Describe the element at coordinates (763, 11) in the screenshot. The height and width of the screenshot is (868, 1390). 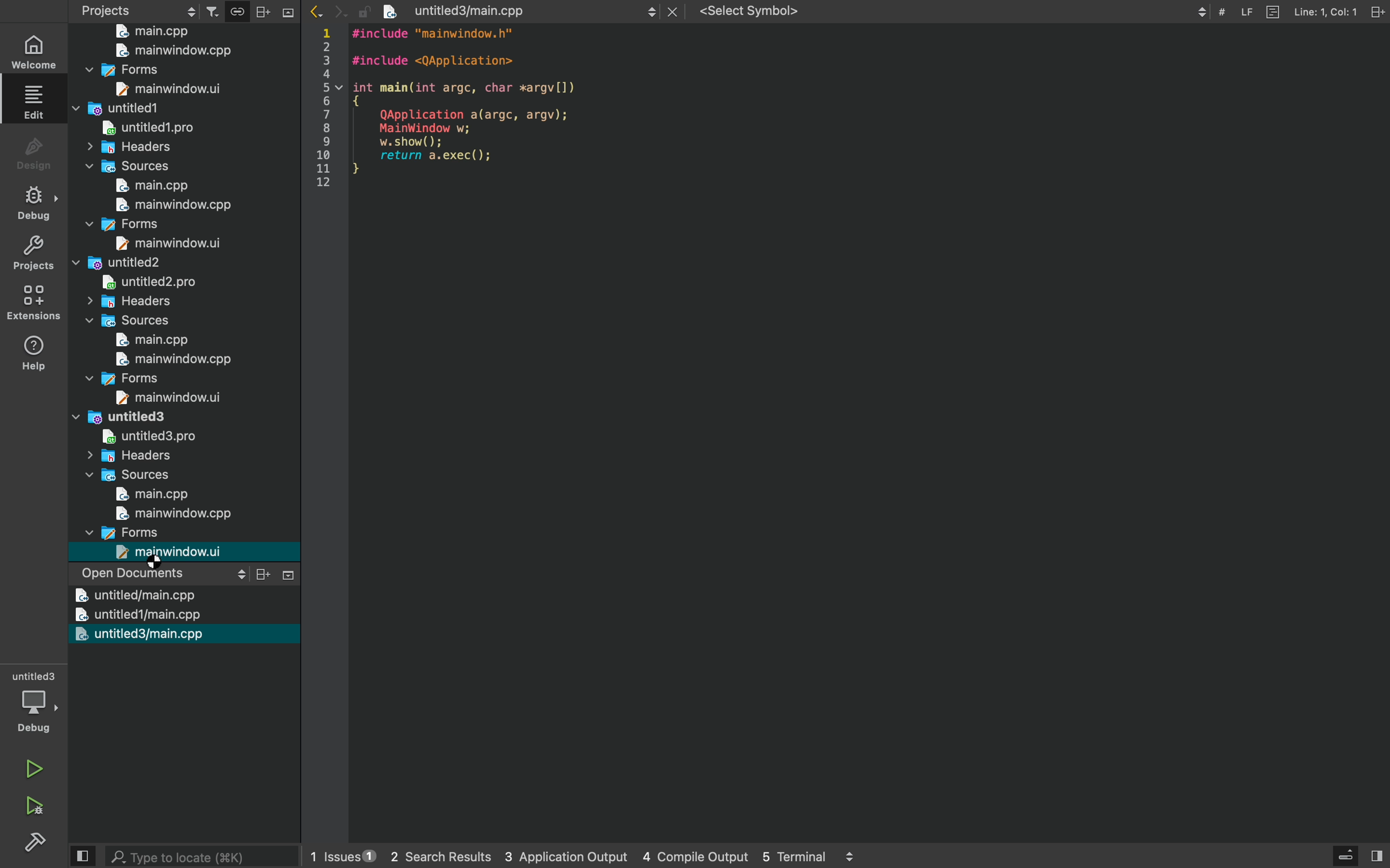
I see `tabs` at that location.